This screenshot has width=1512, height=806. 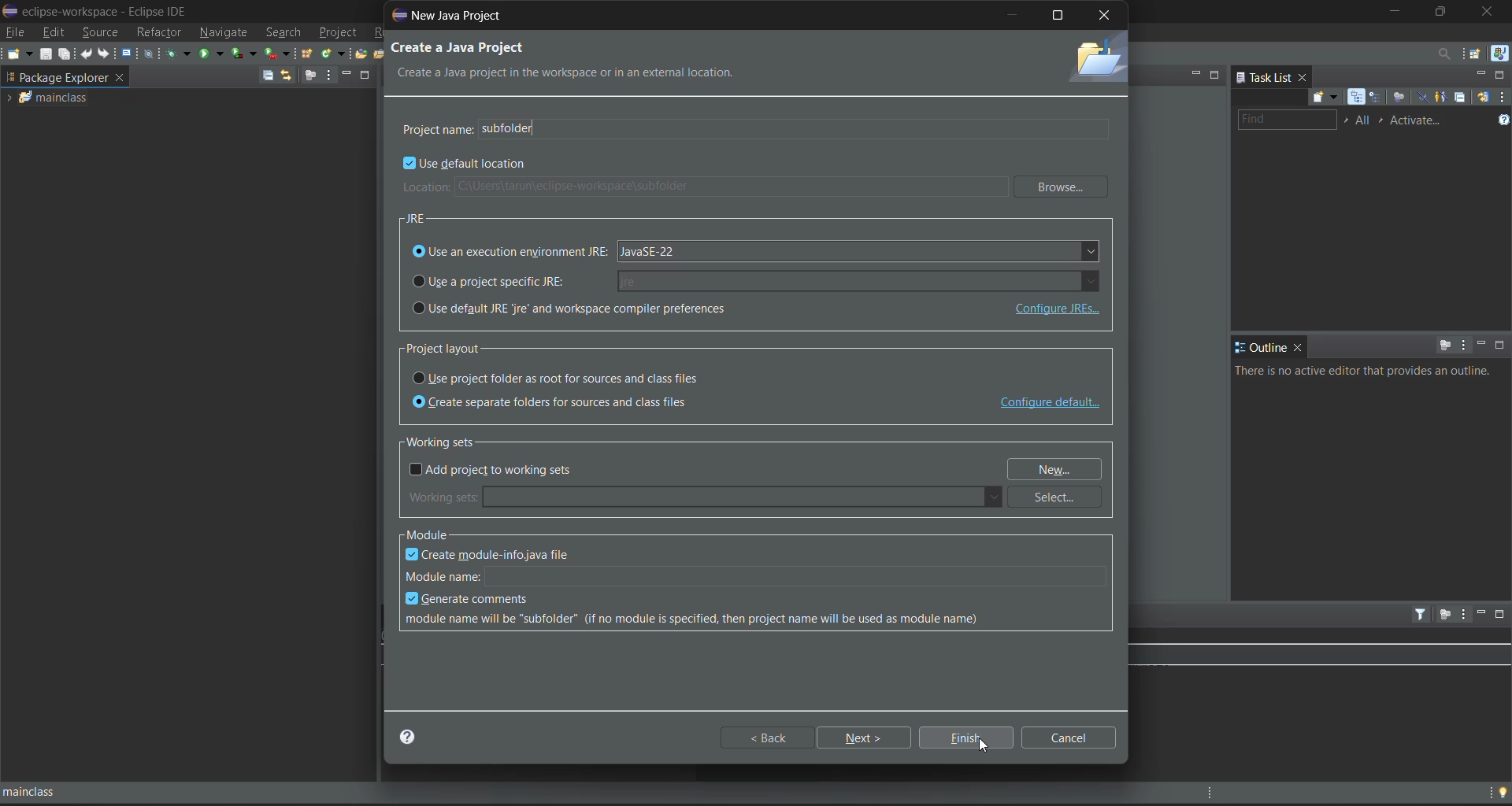 What do you see at coordinates (82, 76) in the screenshot?
I see `package explorer` at bounding box center [82, 76].